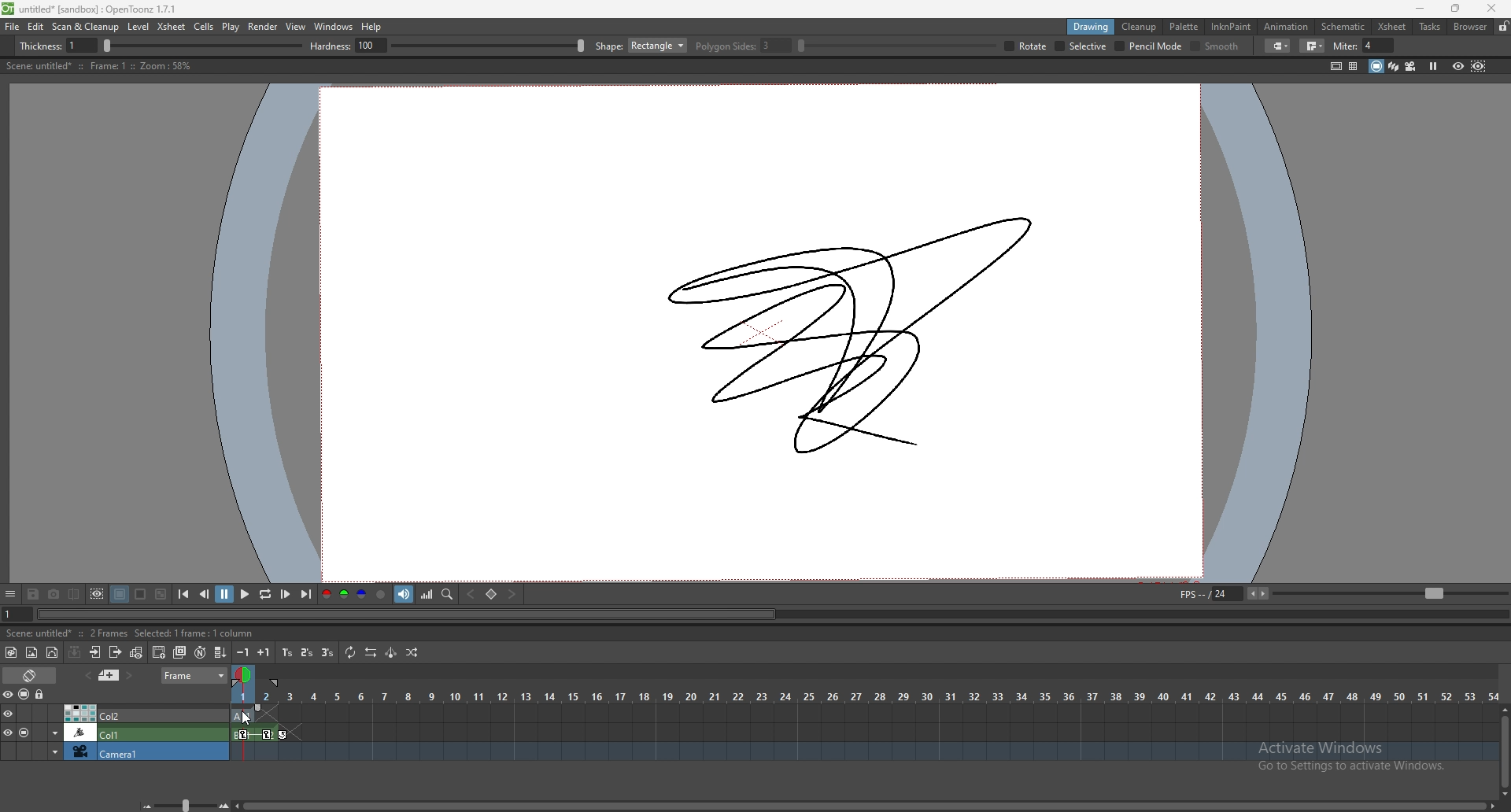  Describe the element at coordinates (264, 652) in the screenshot. I see `increase step` at that location.